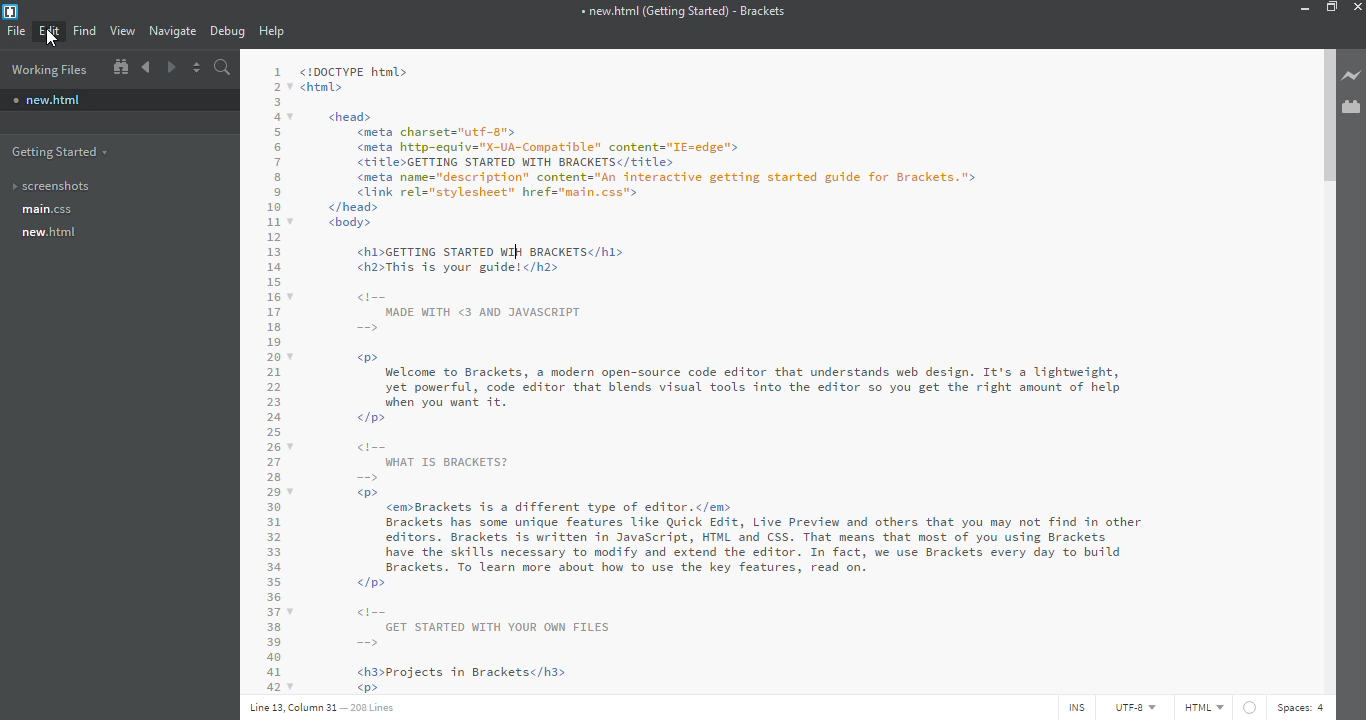  I want to click on view, so click(123, 30).